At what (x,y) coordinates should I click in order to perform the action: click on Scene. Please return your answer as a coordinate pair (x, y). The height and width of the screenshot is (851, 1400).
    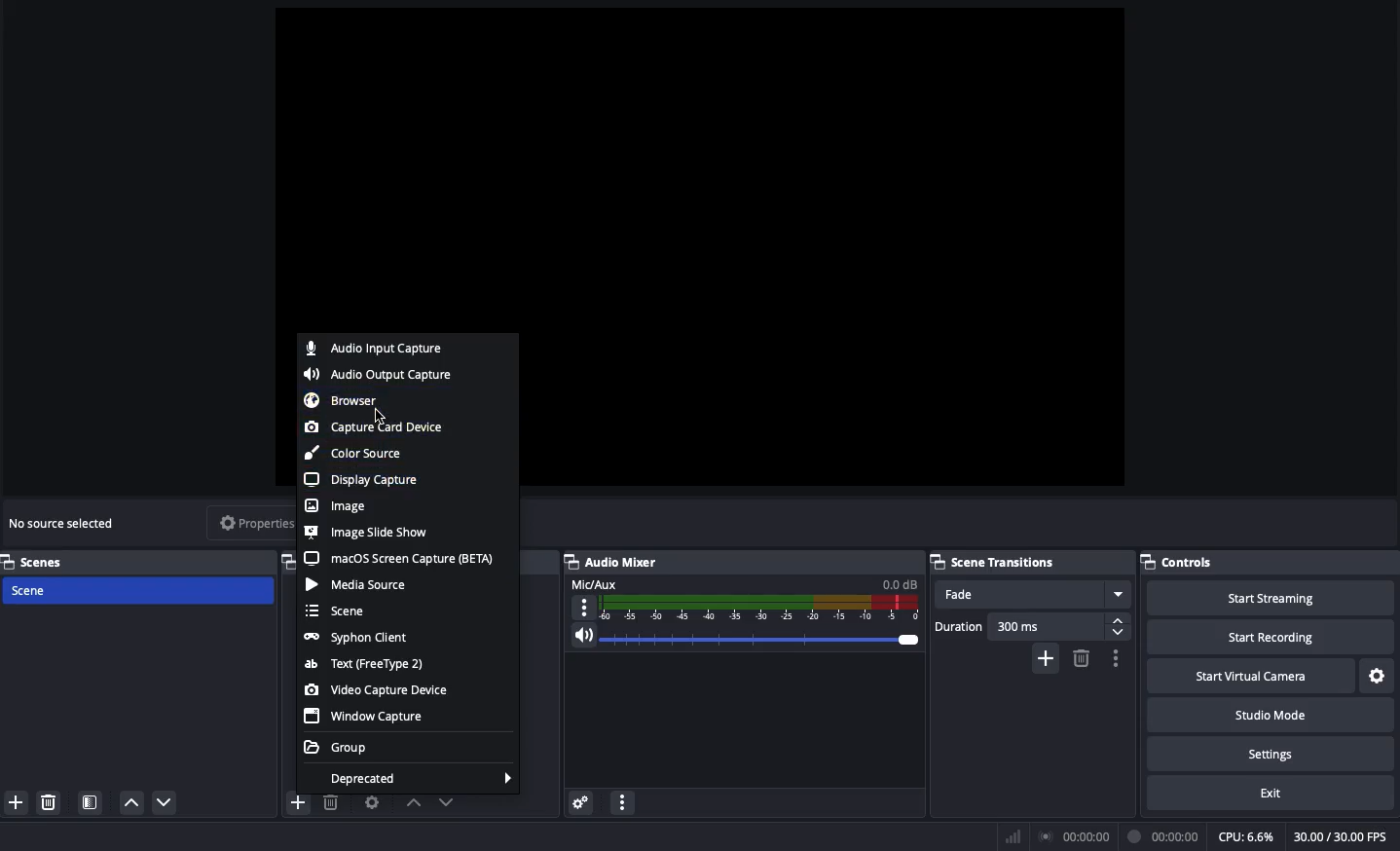
    Looking at the image, I should click on (340, 612).